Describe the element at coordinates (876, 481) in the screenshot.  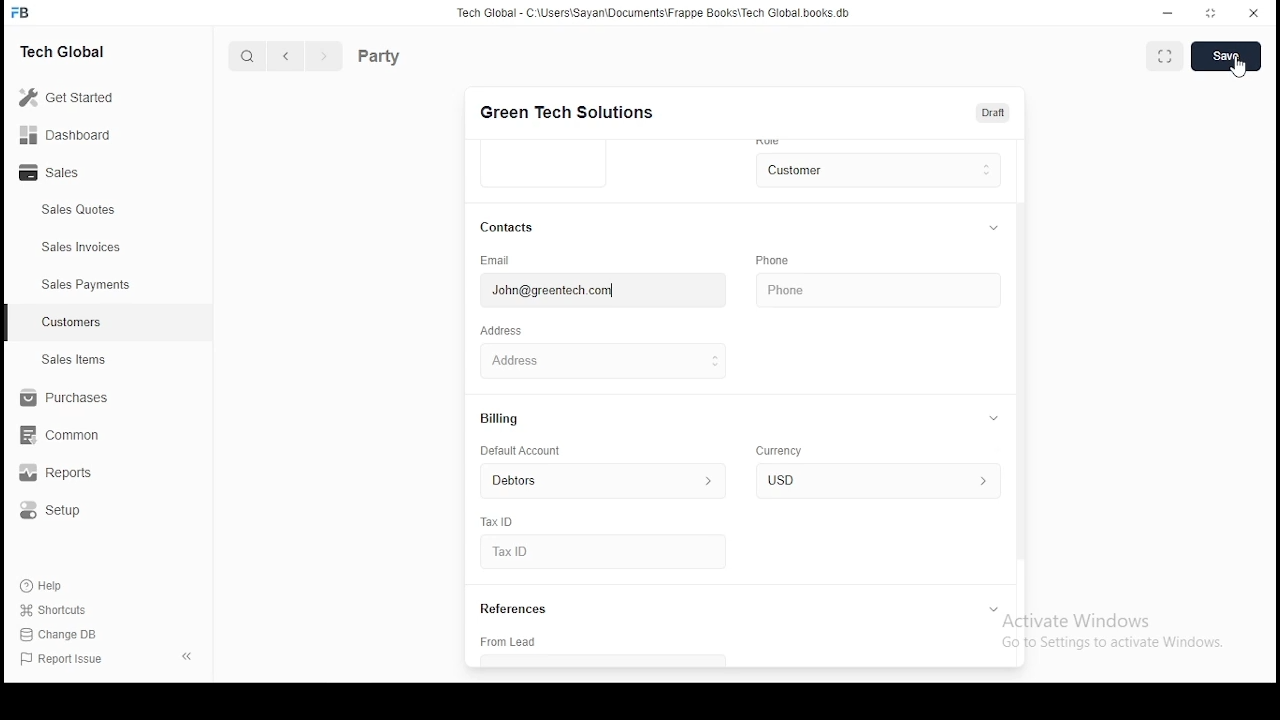
I see `inr` at that location.